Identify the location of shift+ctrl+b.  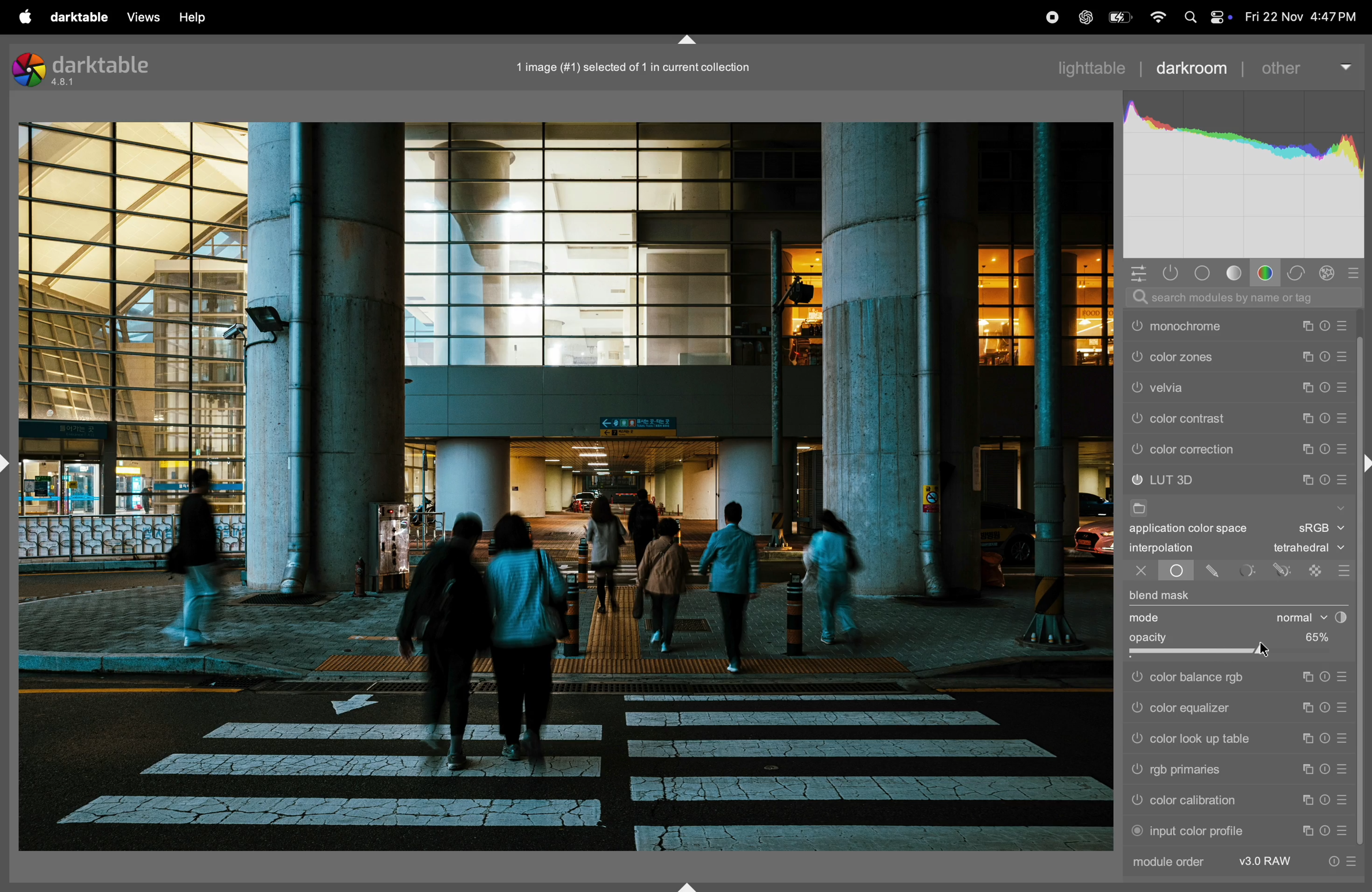
(685, 885).